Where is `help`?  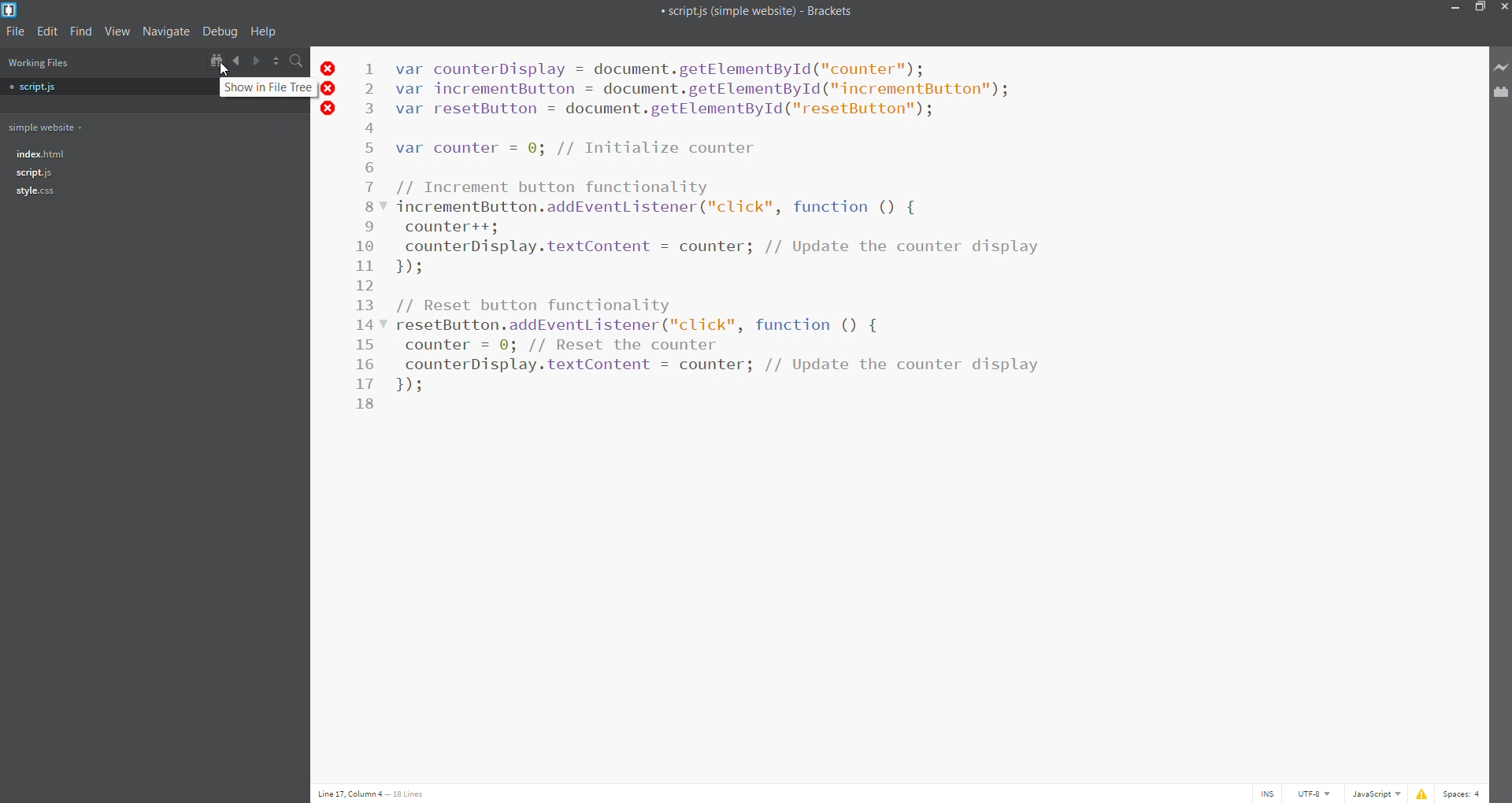
help is located at coordinates (266, 32).